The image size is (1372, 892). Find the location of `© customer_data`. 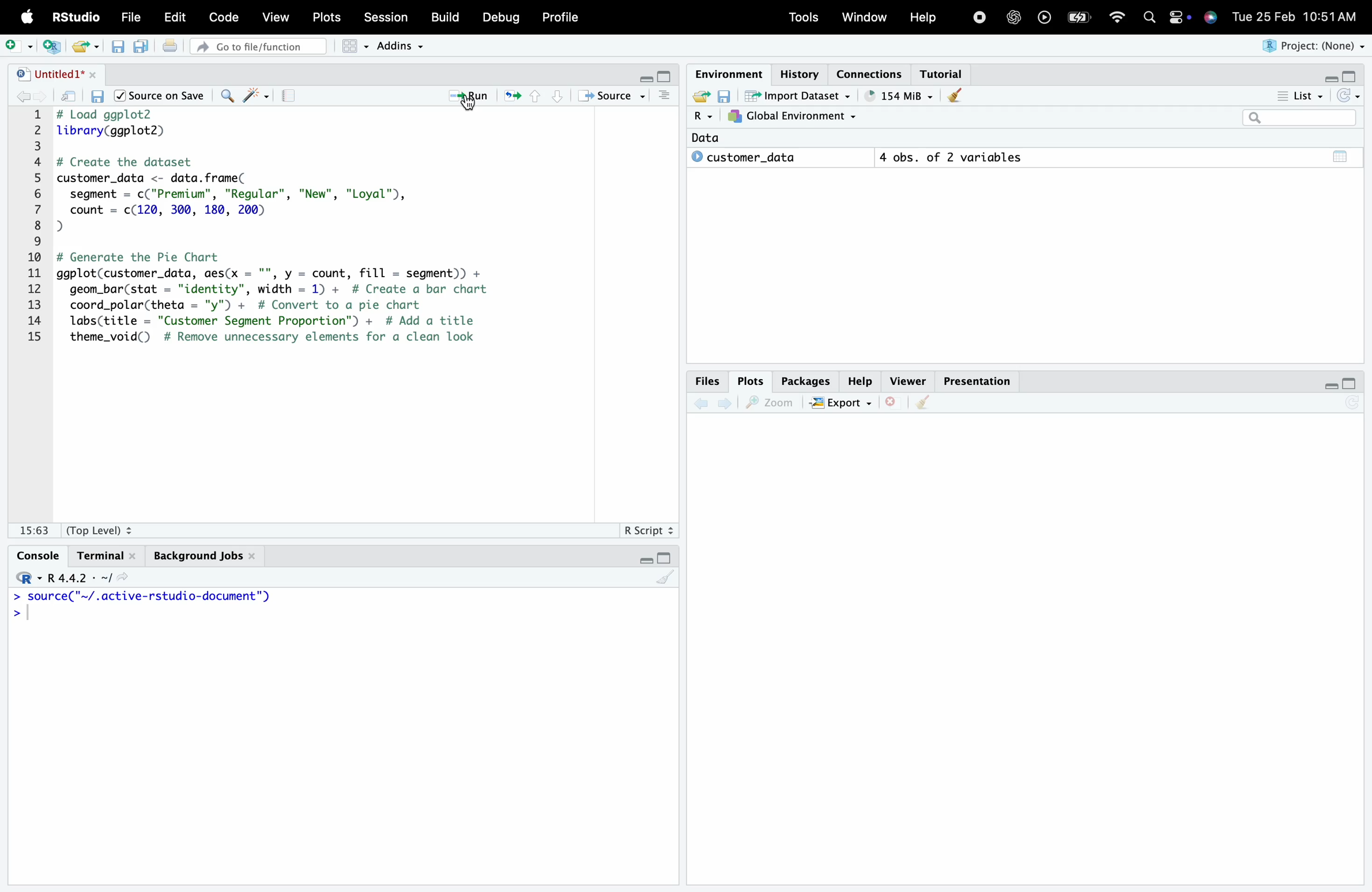

© customer_data is located at coordinates (759, 158).